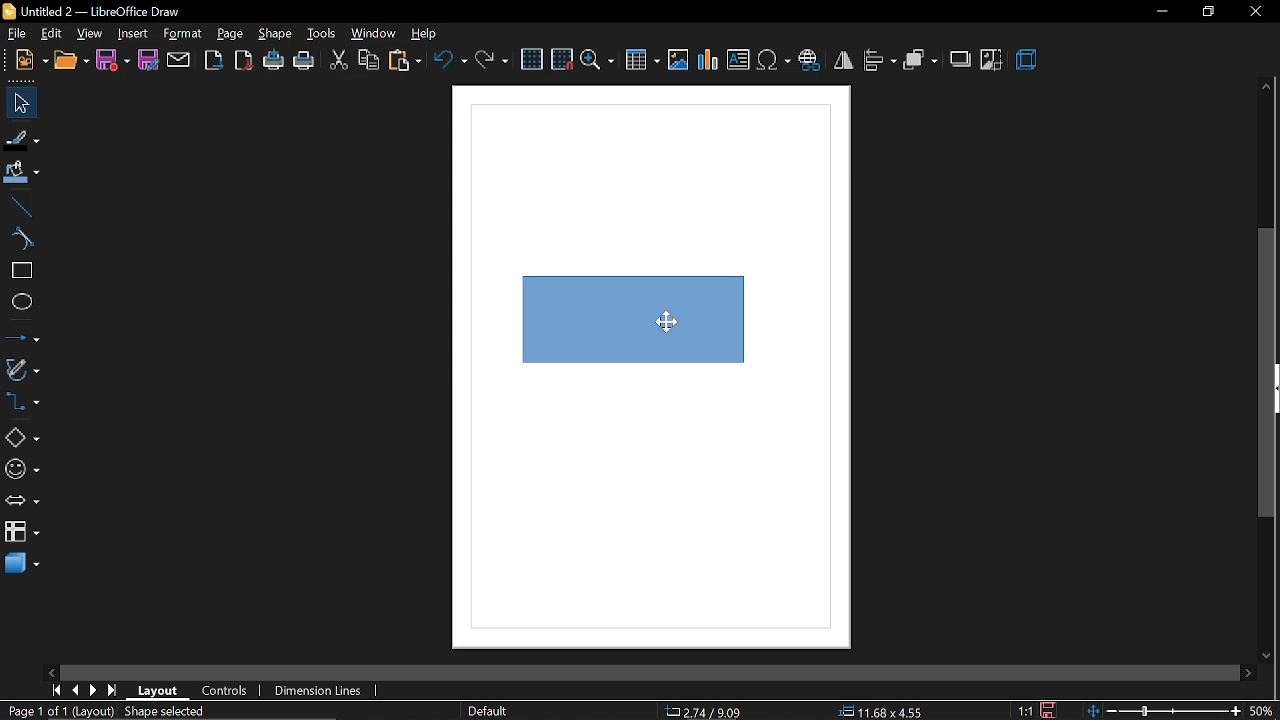  Describe the element at coordinates (707, 713) in the screenshot. I see `2.79/9.09` at that location.